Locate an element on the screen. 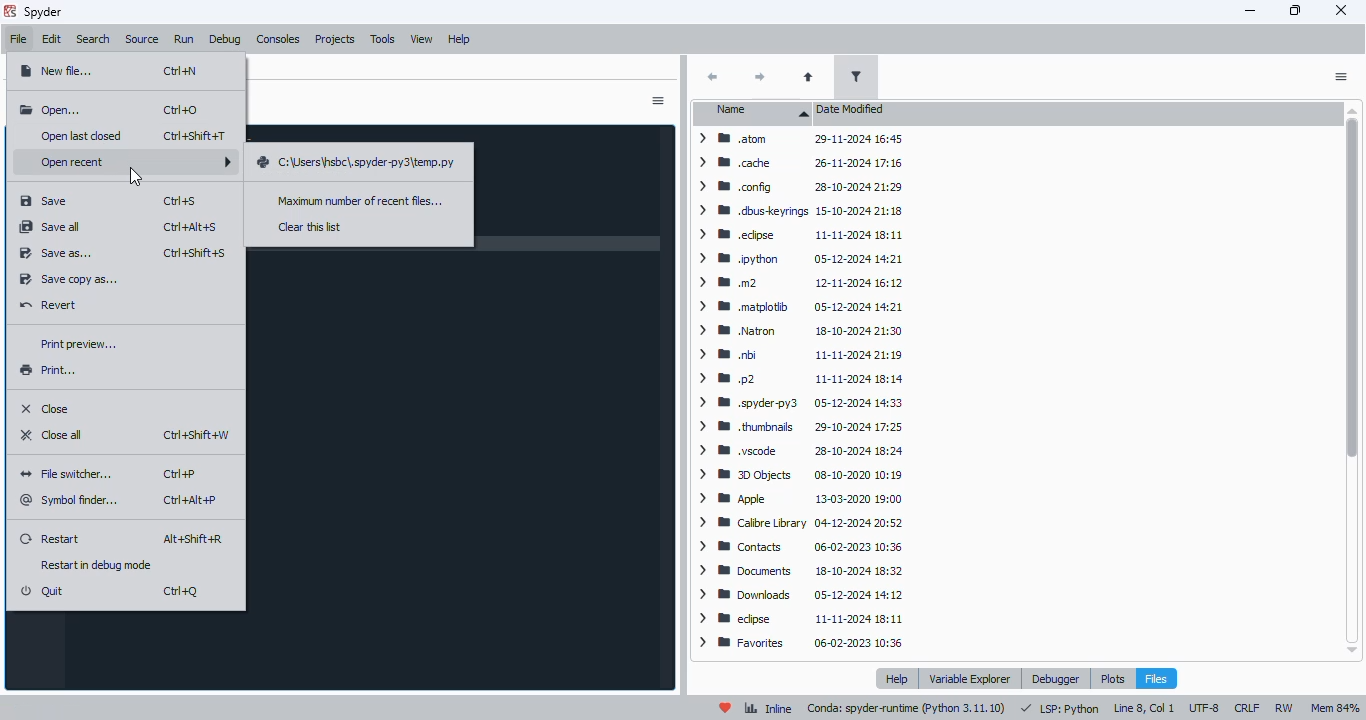  cursor is located at coordinates (136, 177).